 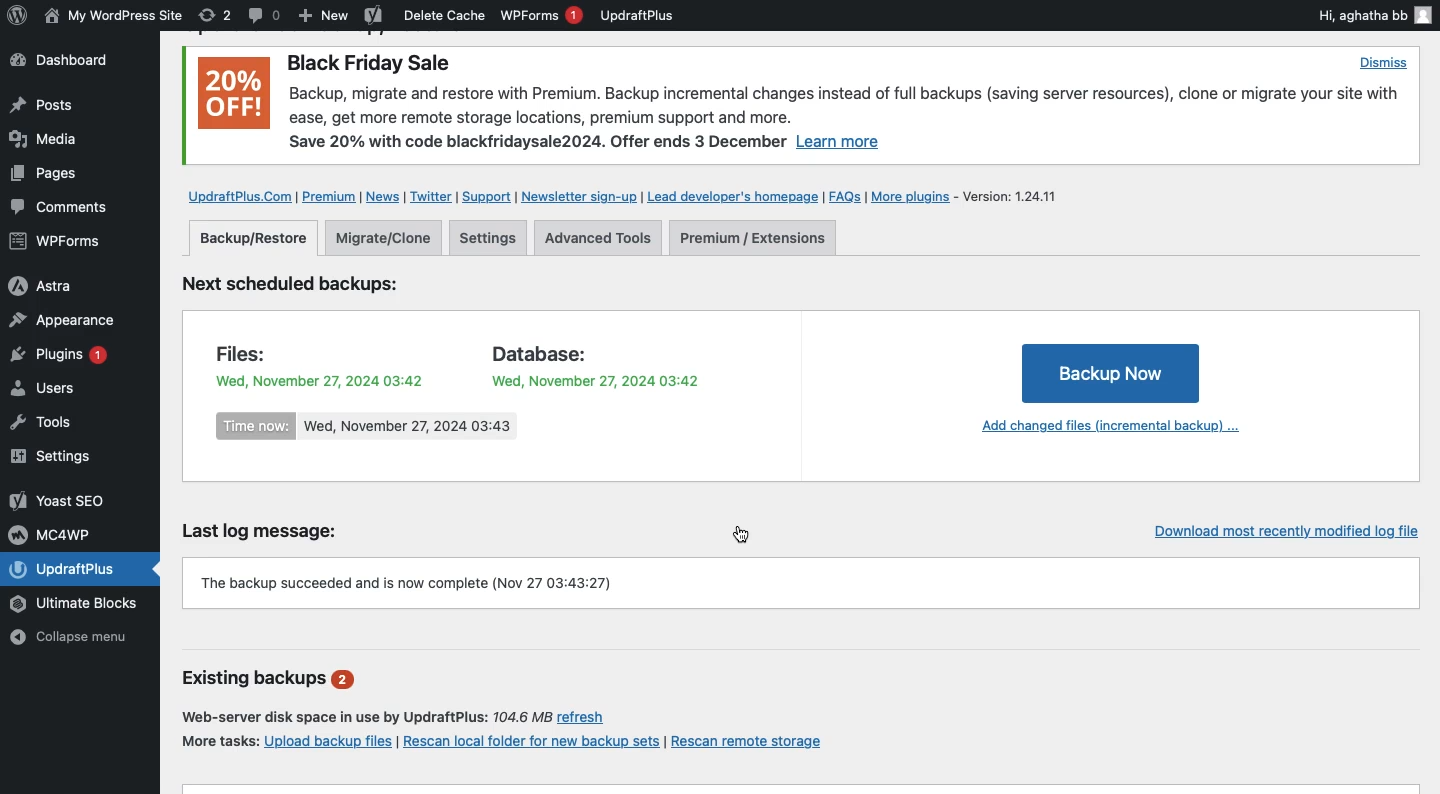 What do you see at coordinates (265, 15) in the screenshot?
I see `Comment 0` at bounding box center [265, 15].